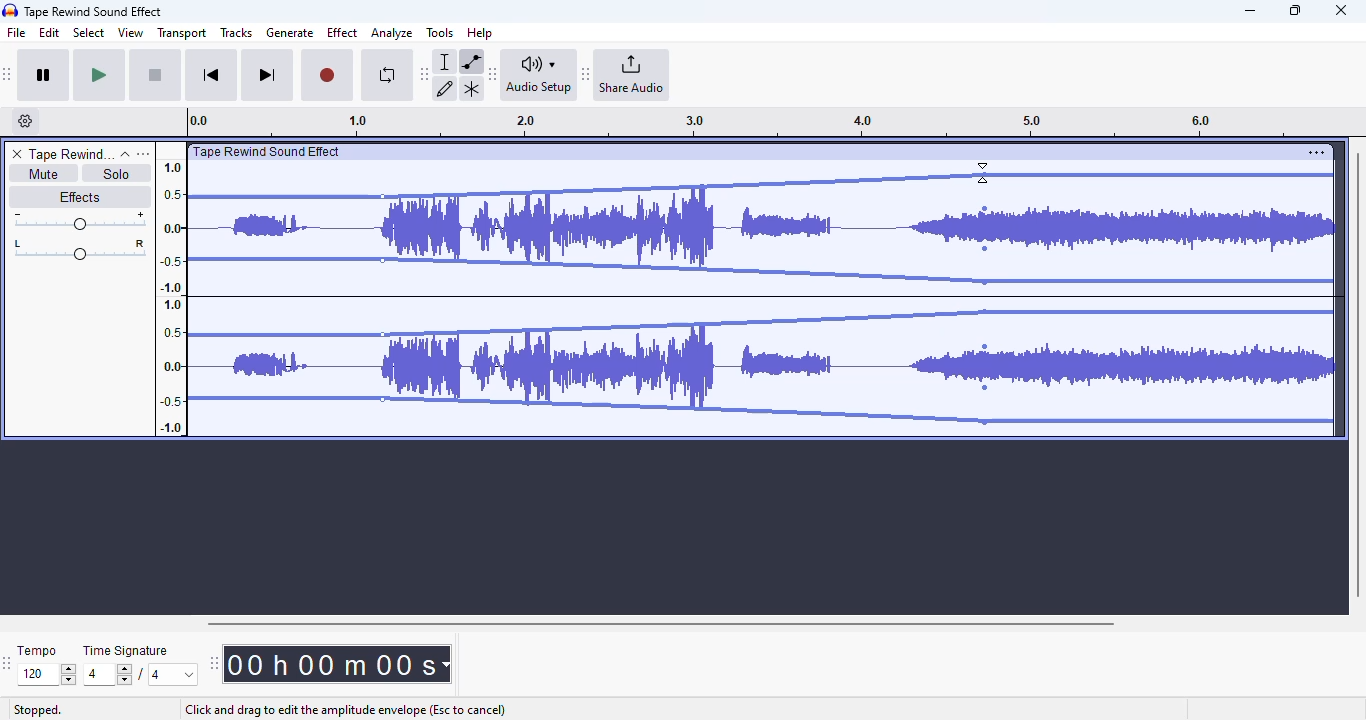 This screenshot has height=720, width=1366. I want to click on Max. time signature options, so click(174, 674).